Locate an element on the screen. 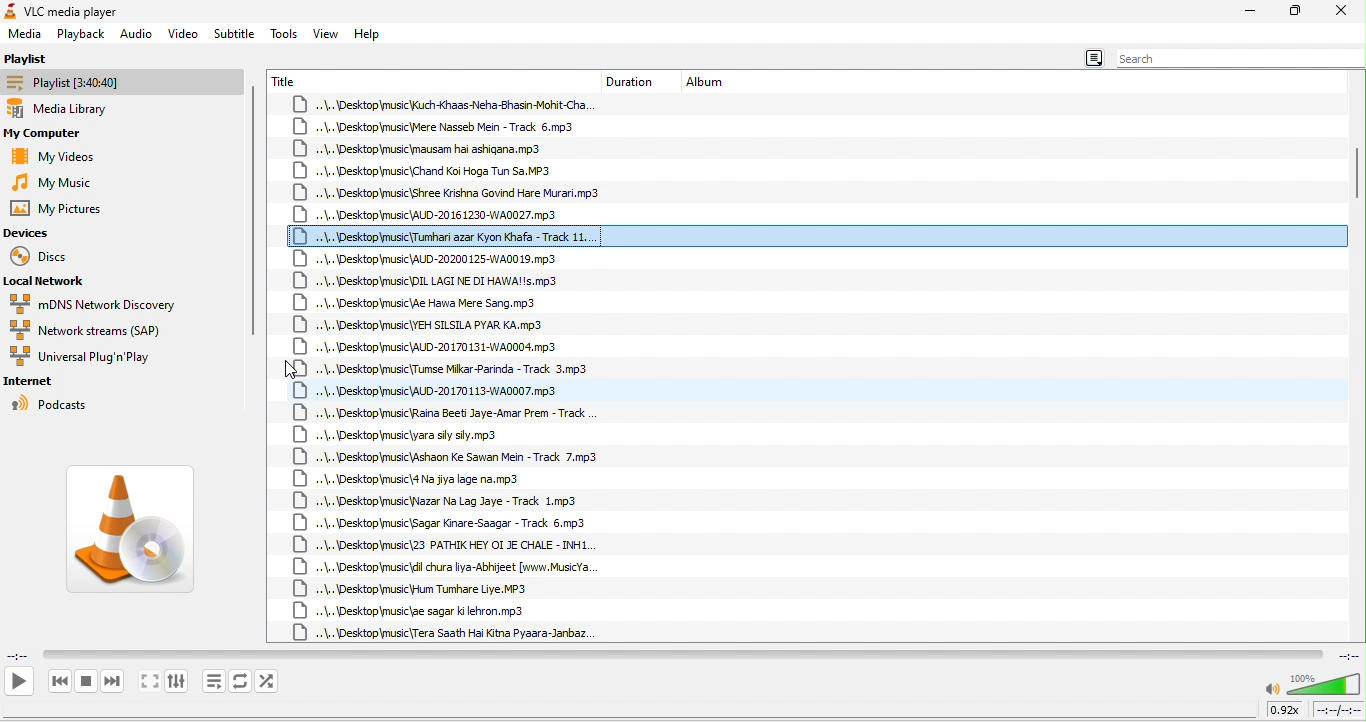 This screenshot has height=722, width=1366. podcasts is located at coordinates (57, 405).